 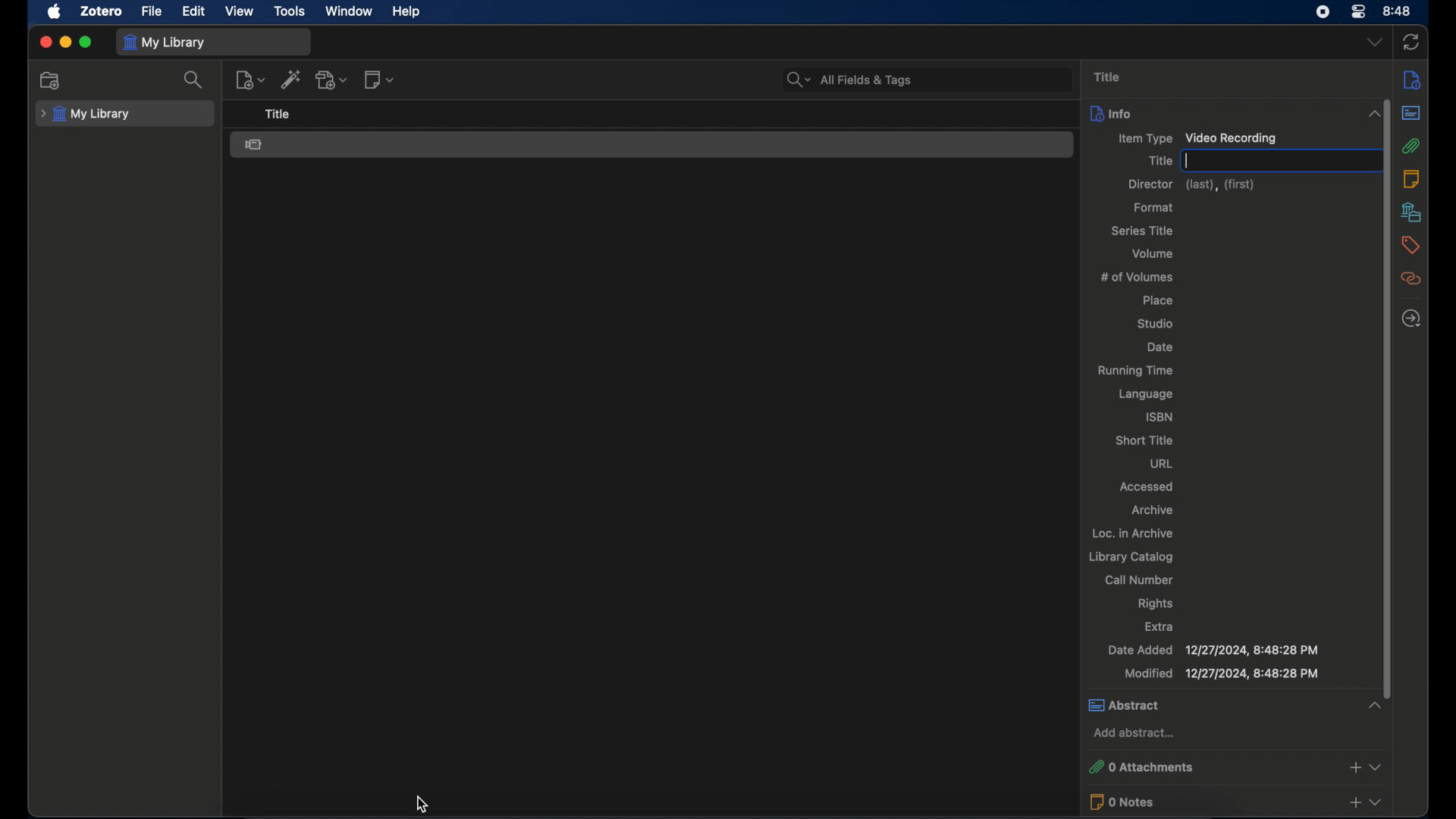 What do you see at coordinates (86, 42) in the screenshot?
I see `maximize` at bounding box center [86, 42].